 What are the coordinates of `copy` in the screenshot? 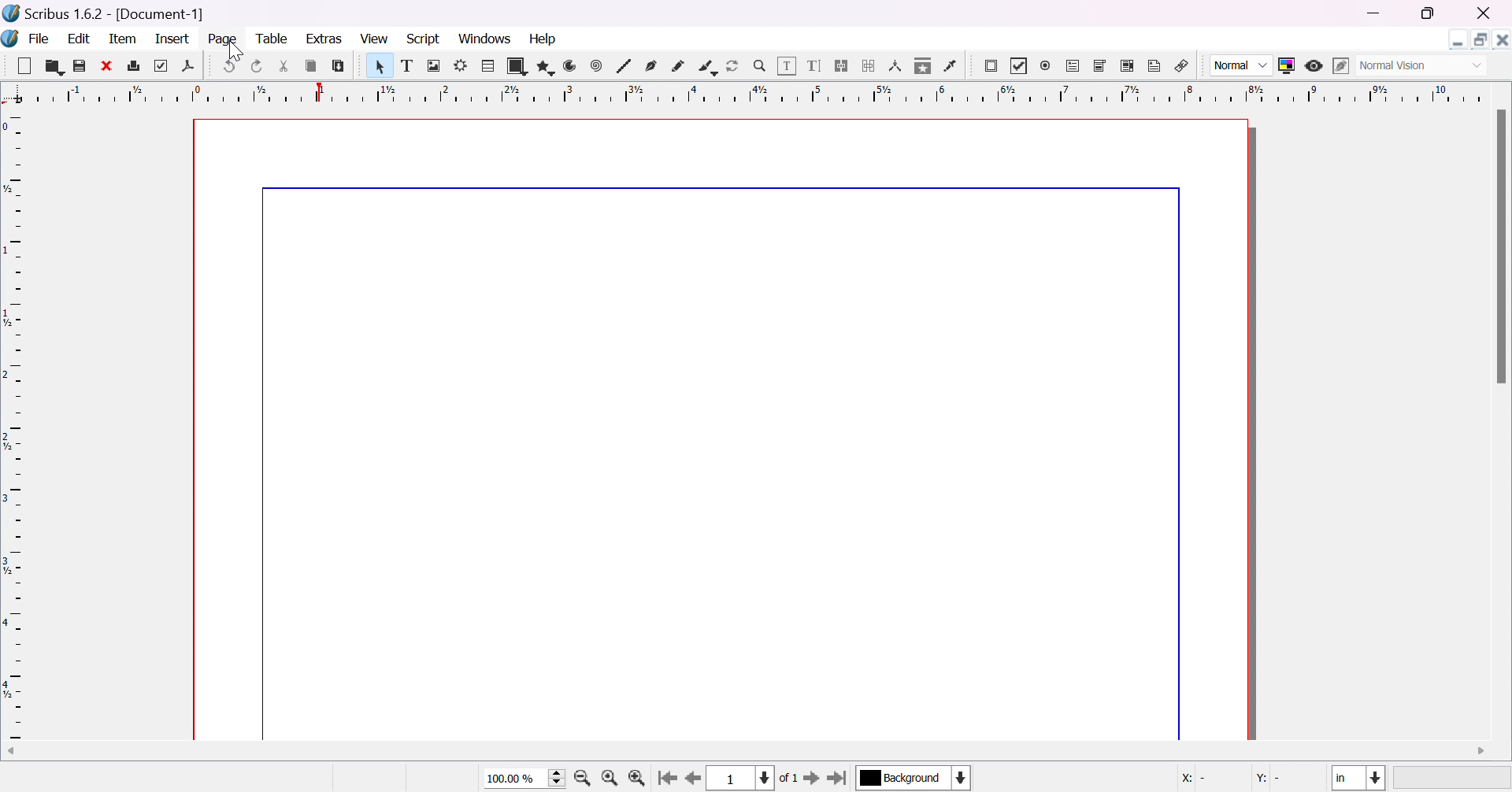 It's located at (313, 65).